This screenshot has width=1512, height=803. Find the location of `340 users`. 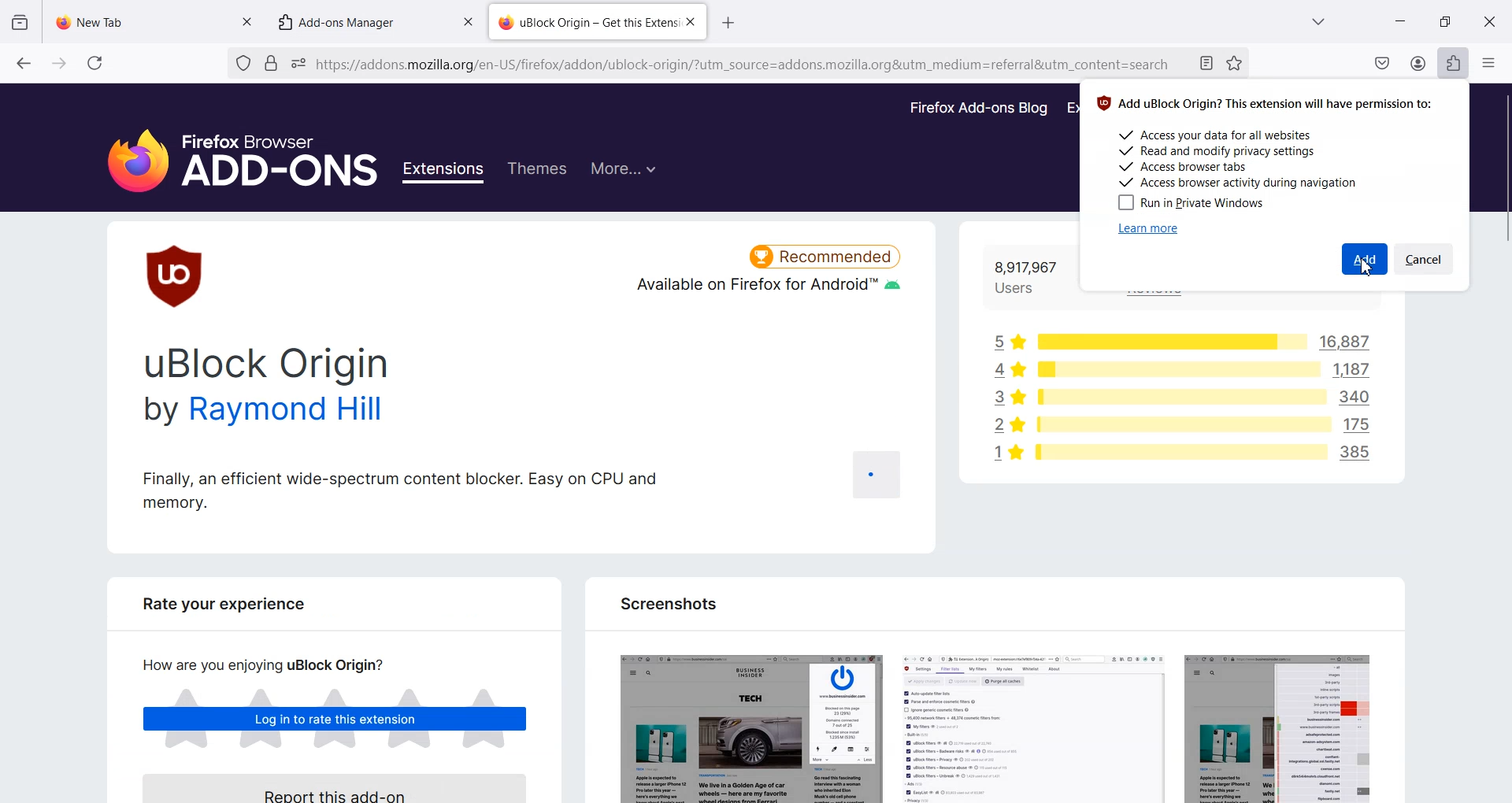

340 users is located at coordinates (1359, 397).